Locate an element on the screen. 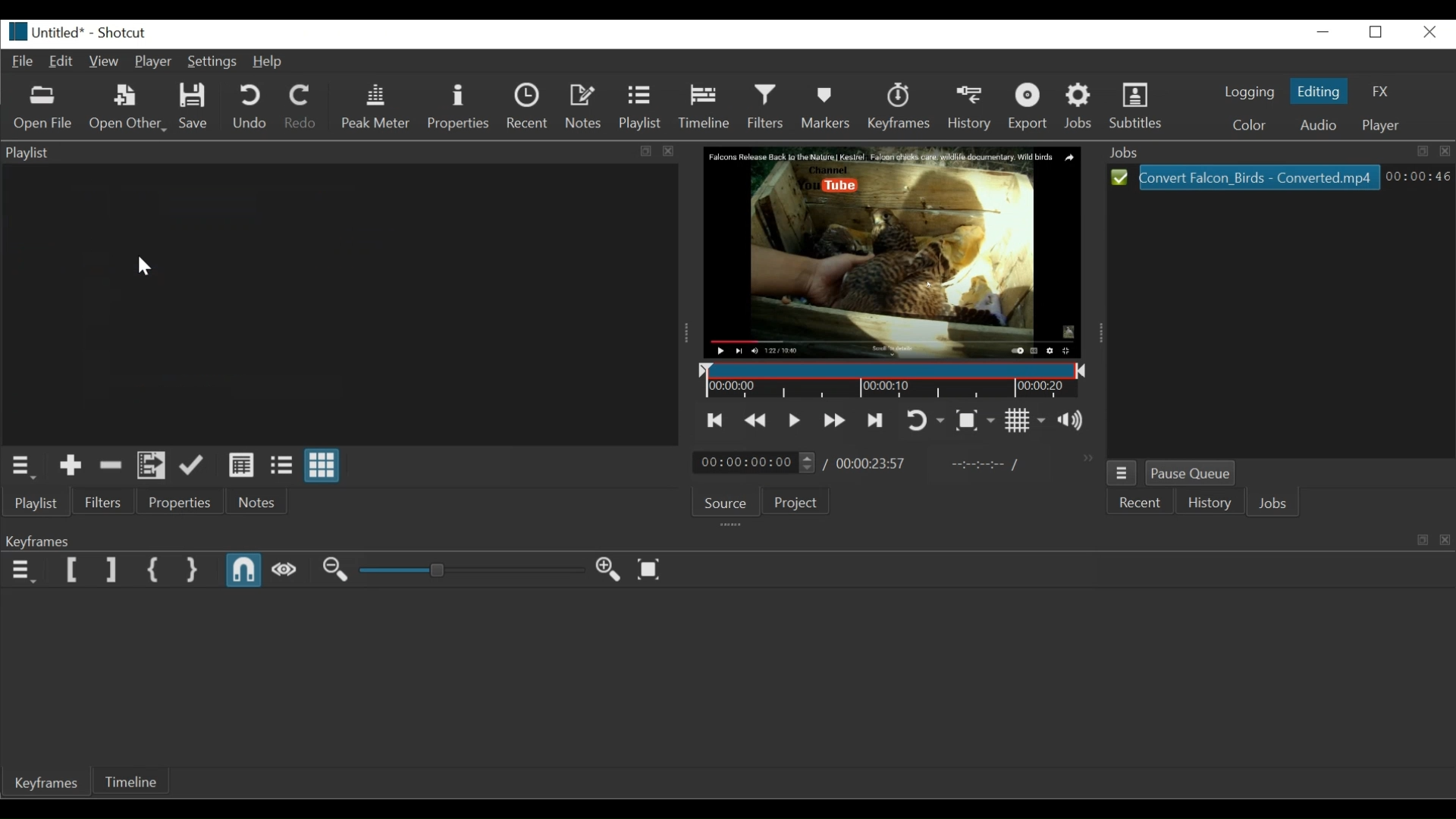 The width and height of the screenshot is (1456, 819). Update is located at coordinates (193, 469).